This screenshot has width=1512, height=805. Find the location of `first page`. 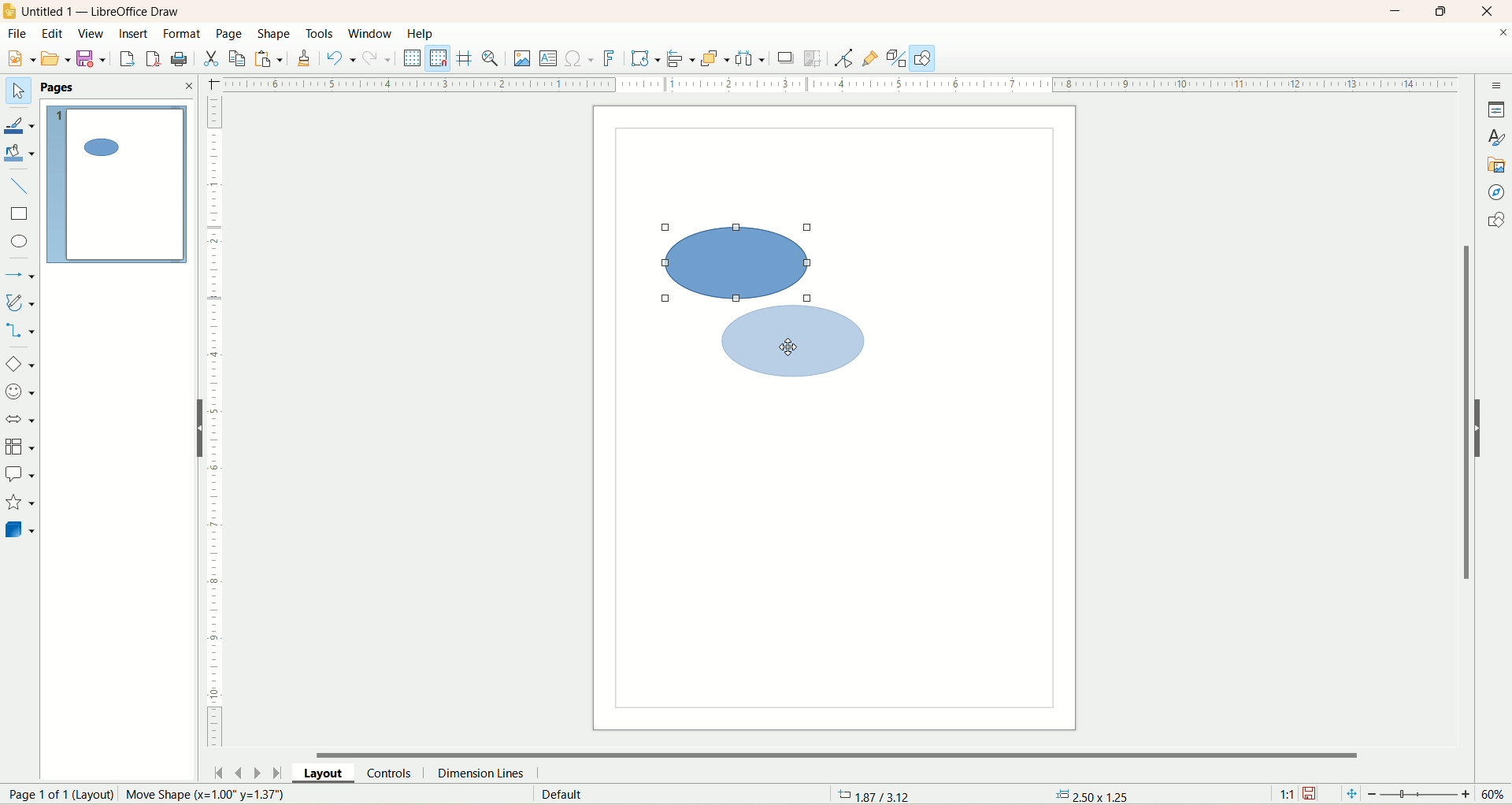

first page is located at coordinates (218, 770).